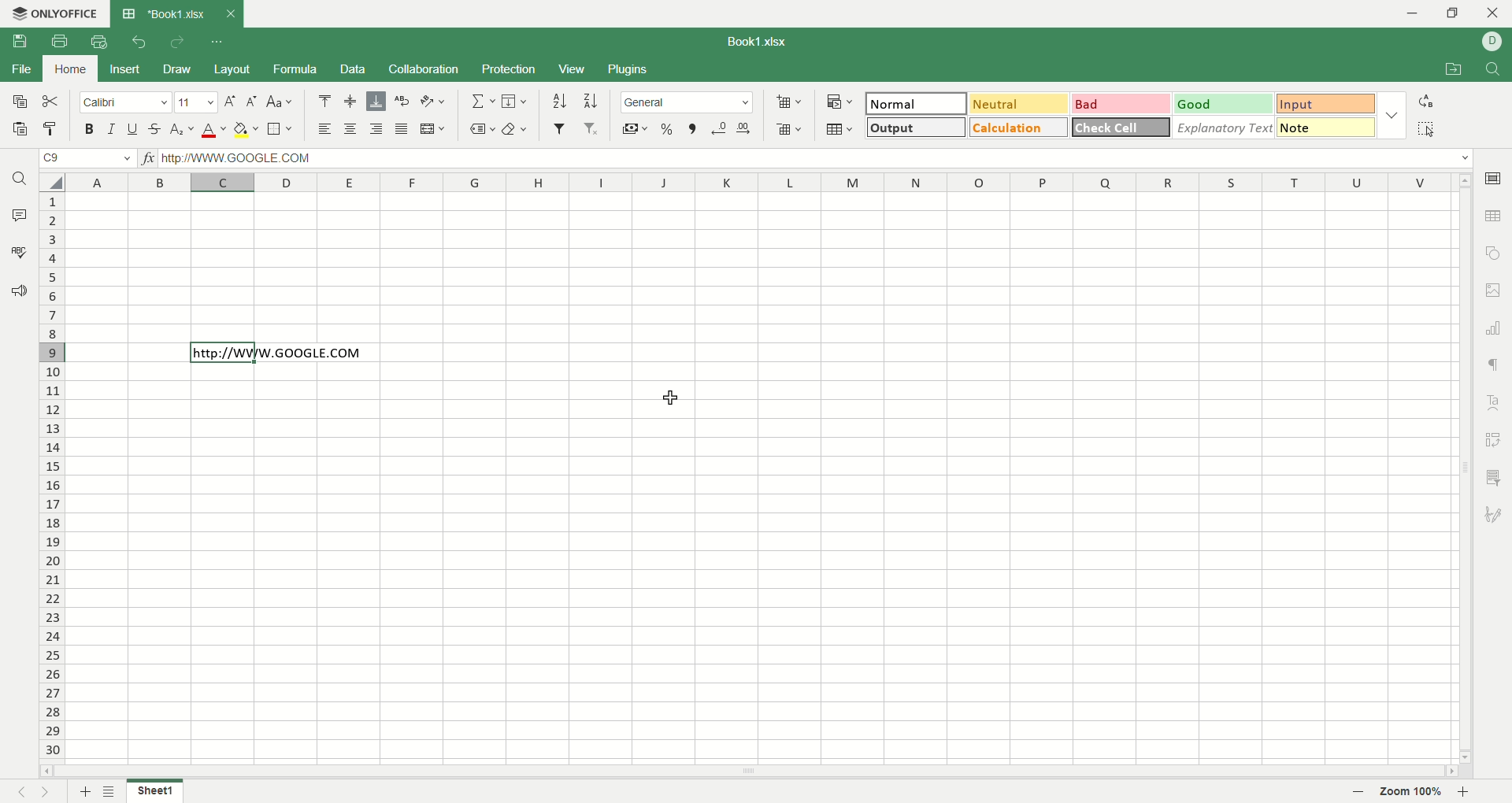 Image resolution: width=1512 pixels, height=803 pixels. I want to click on next, so click(48, 792).